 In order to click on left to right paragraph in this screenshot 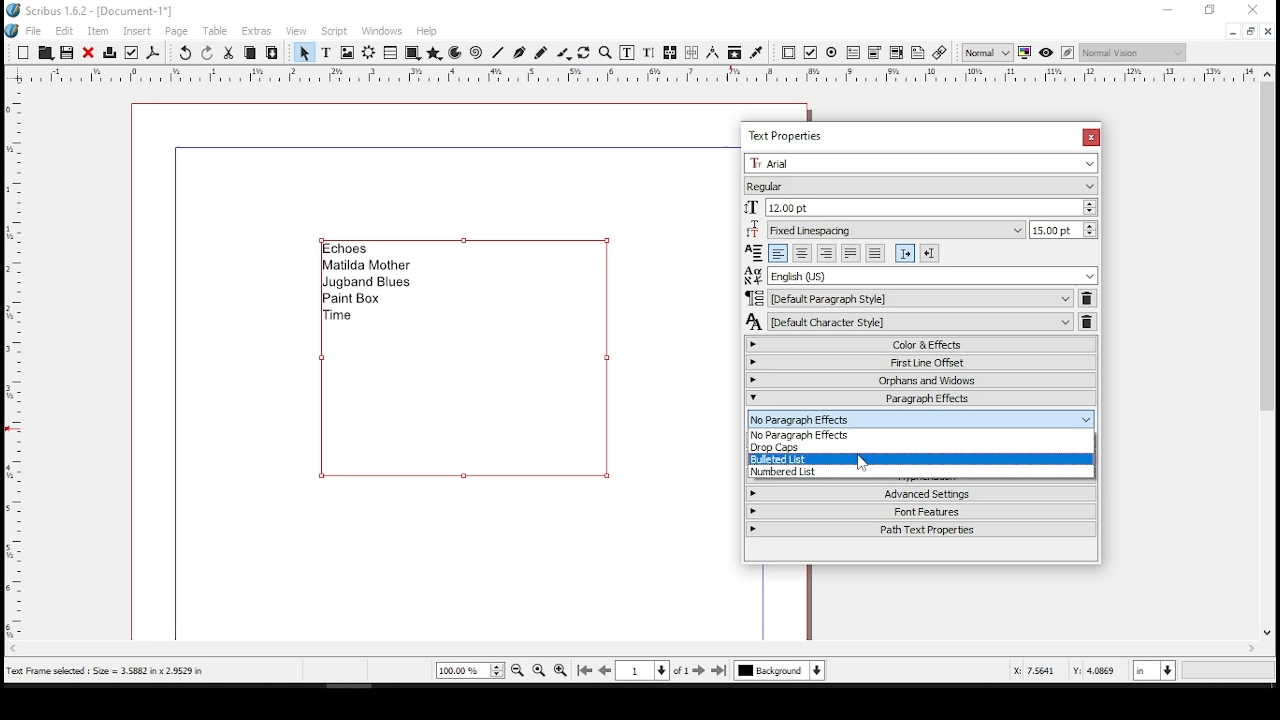, I will do `click(906, 253)`.